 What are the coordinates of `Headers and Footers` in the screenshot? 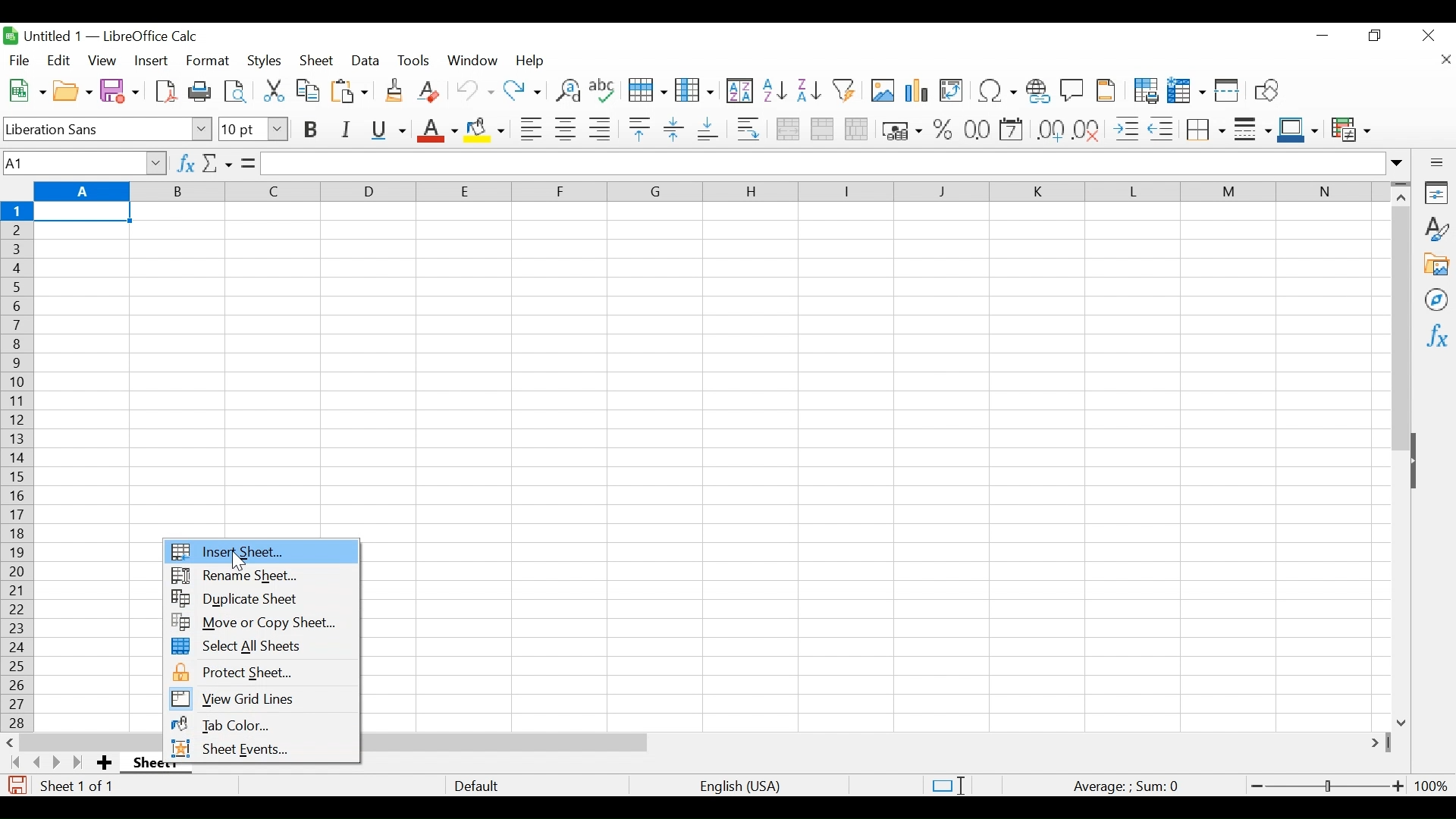 It's located at (1107, 91).